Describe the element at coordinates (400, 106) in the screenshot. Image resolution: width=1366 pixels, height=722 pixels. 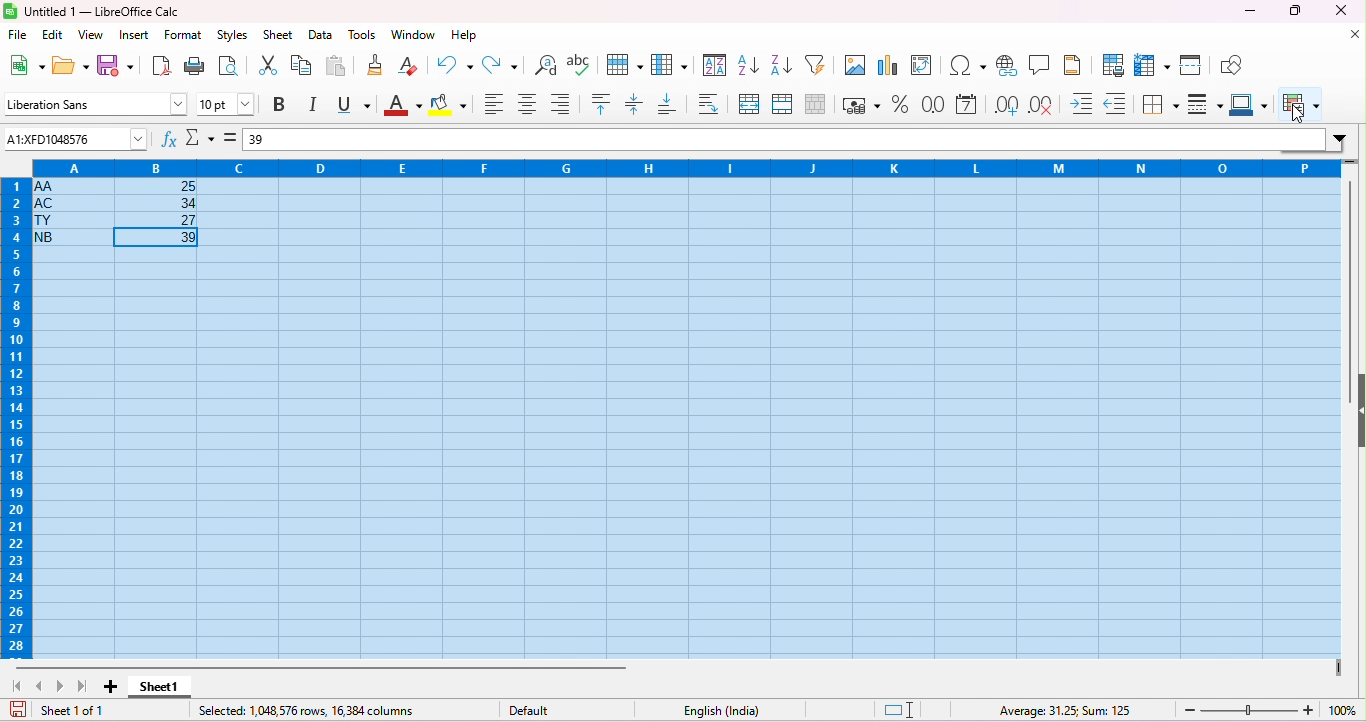
I see `font color` at that location.